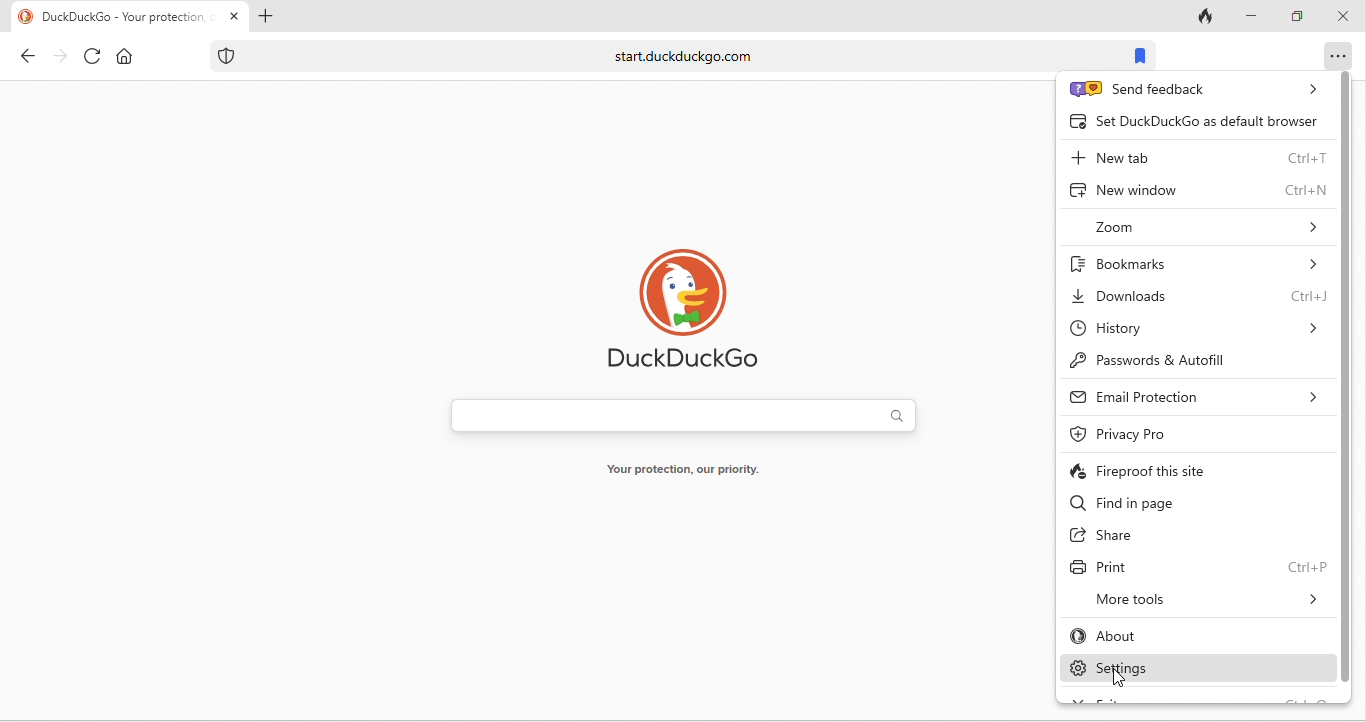 The width and height of the screenshot is (1366, 722). What do you see at coordinates (1174, 636) in the screenshot?
I see `about` at bounding box center [1174, 636].